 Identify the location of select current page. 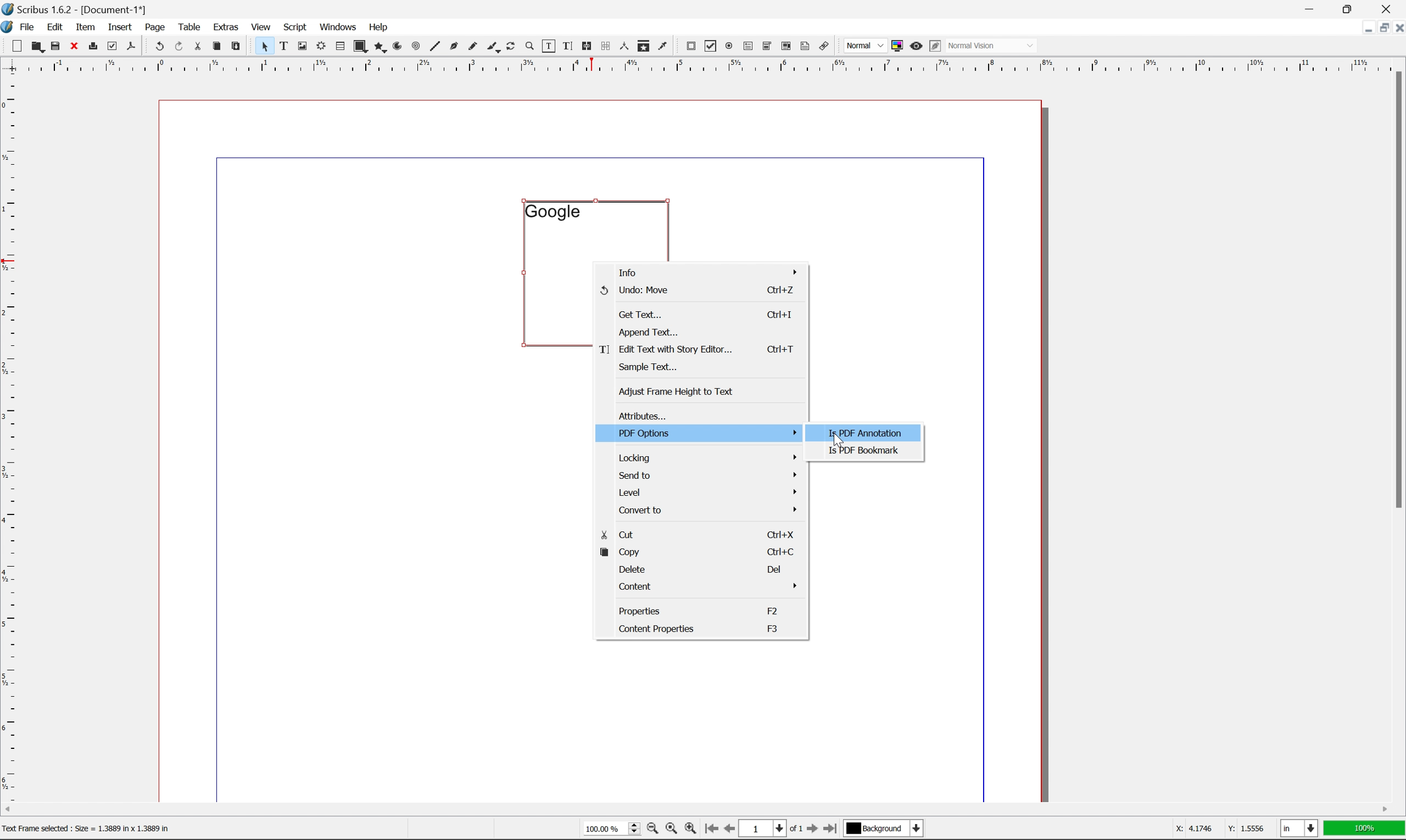
(770, 830).